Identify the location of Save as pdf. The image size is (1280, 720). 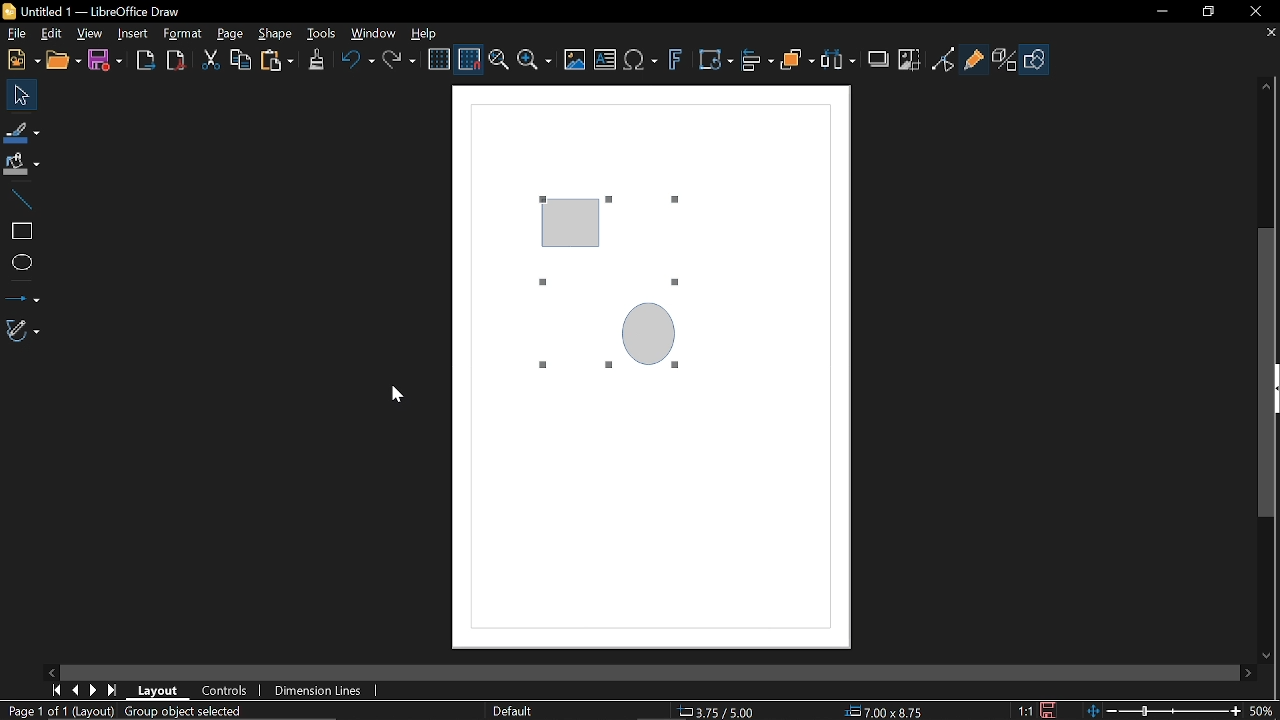
(175, 60).